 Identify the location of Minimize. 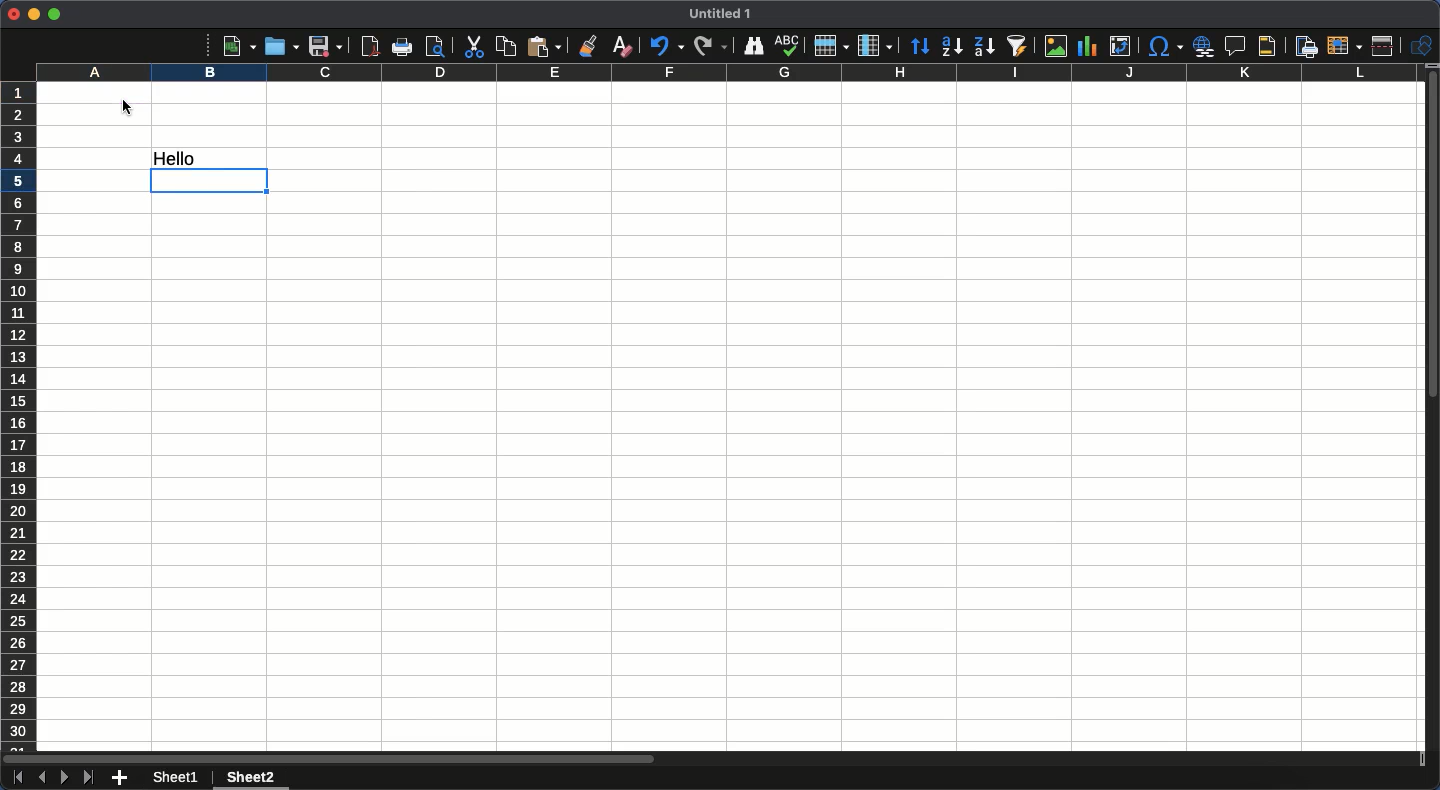
(34, 15).